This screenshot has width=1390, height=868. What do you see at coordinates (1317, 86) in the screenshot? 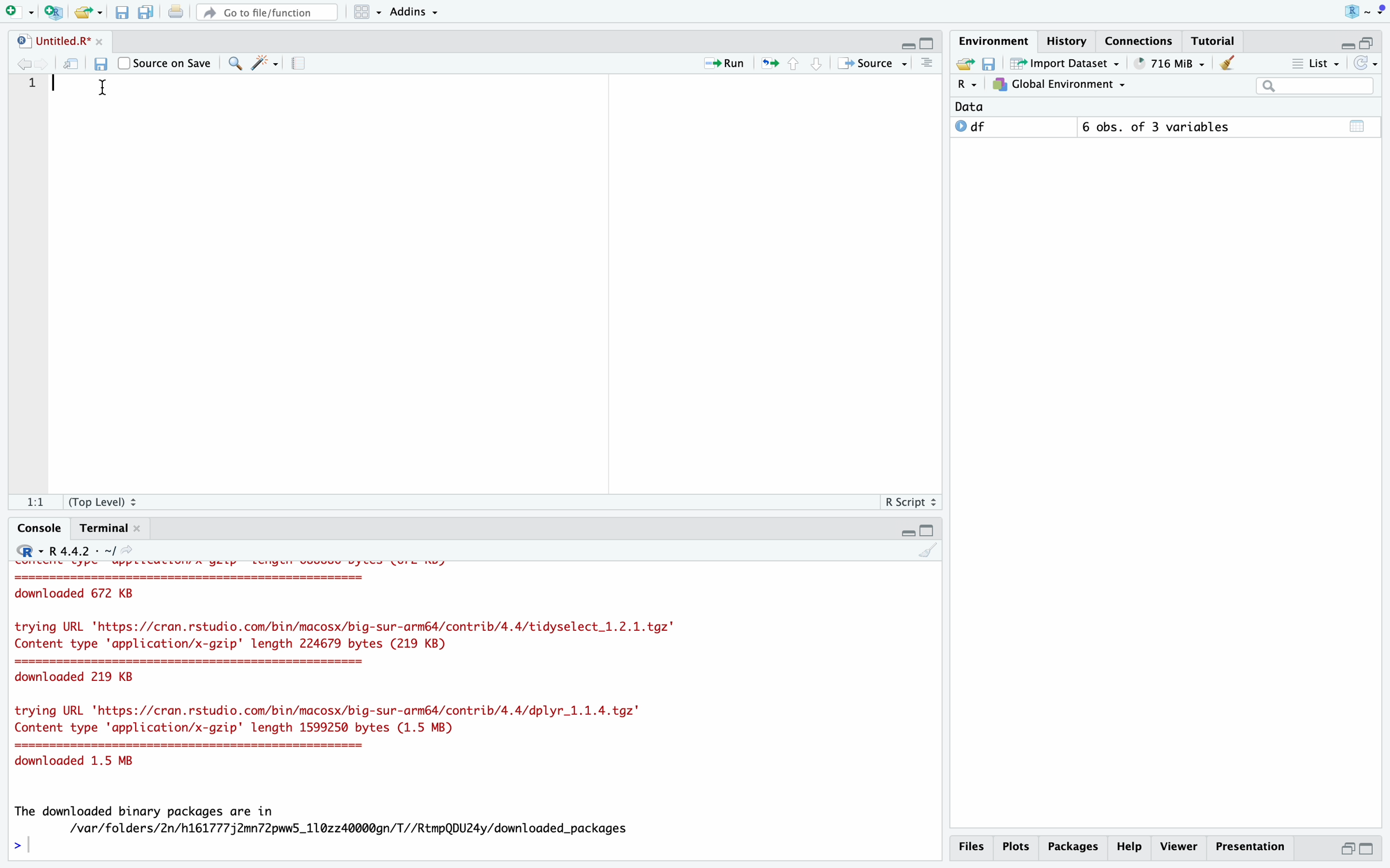
I see `Search` at bounding box center [1317, 86].